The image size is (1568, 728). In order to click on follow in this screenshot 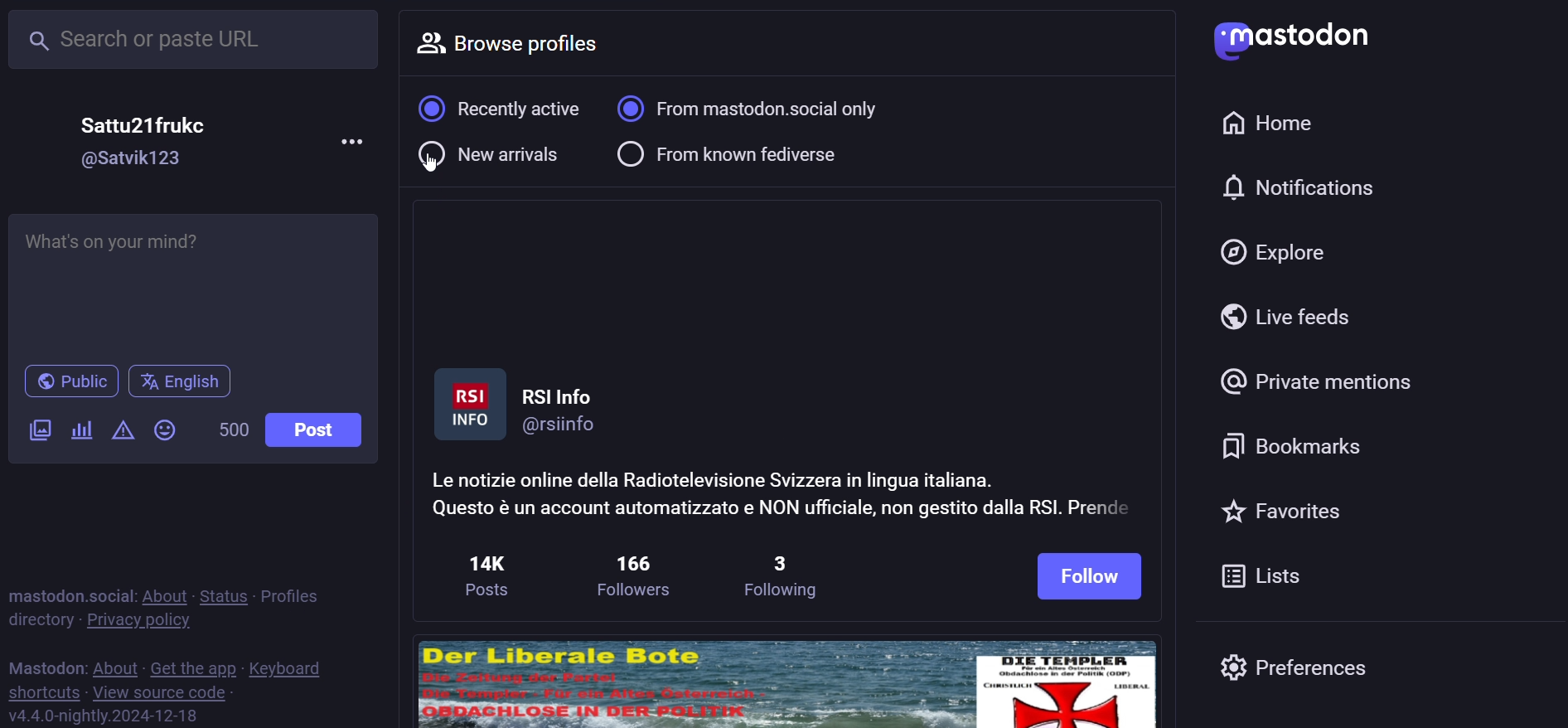, I will do `click(1091, 572)`.